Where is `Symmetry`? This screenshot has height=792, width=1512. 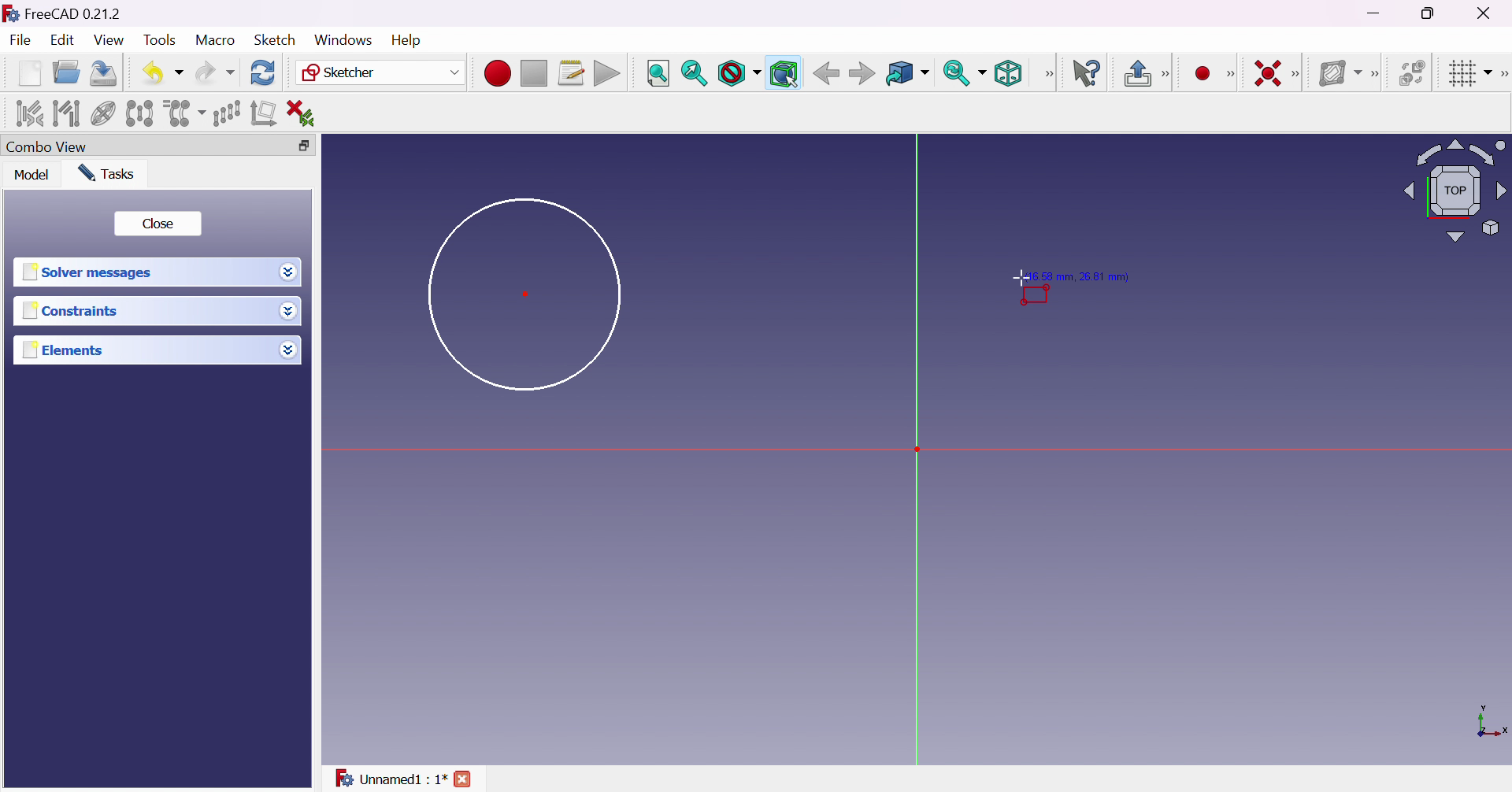 Symmetry is located at coordinates (140, 113).